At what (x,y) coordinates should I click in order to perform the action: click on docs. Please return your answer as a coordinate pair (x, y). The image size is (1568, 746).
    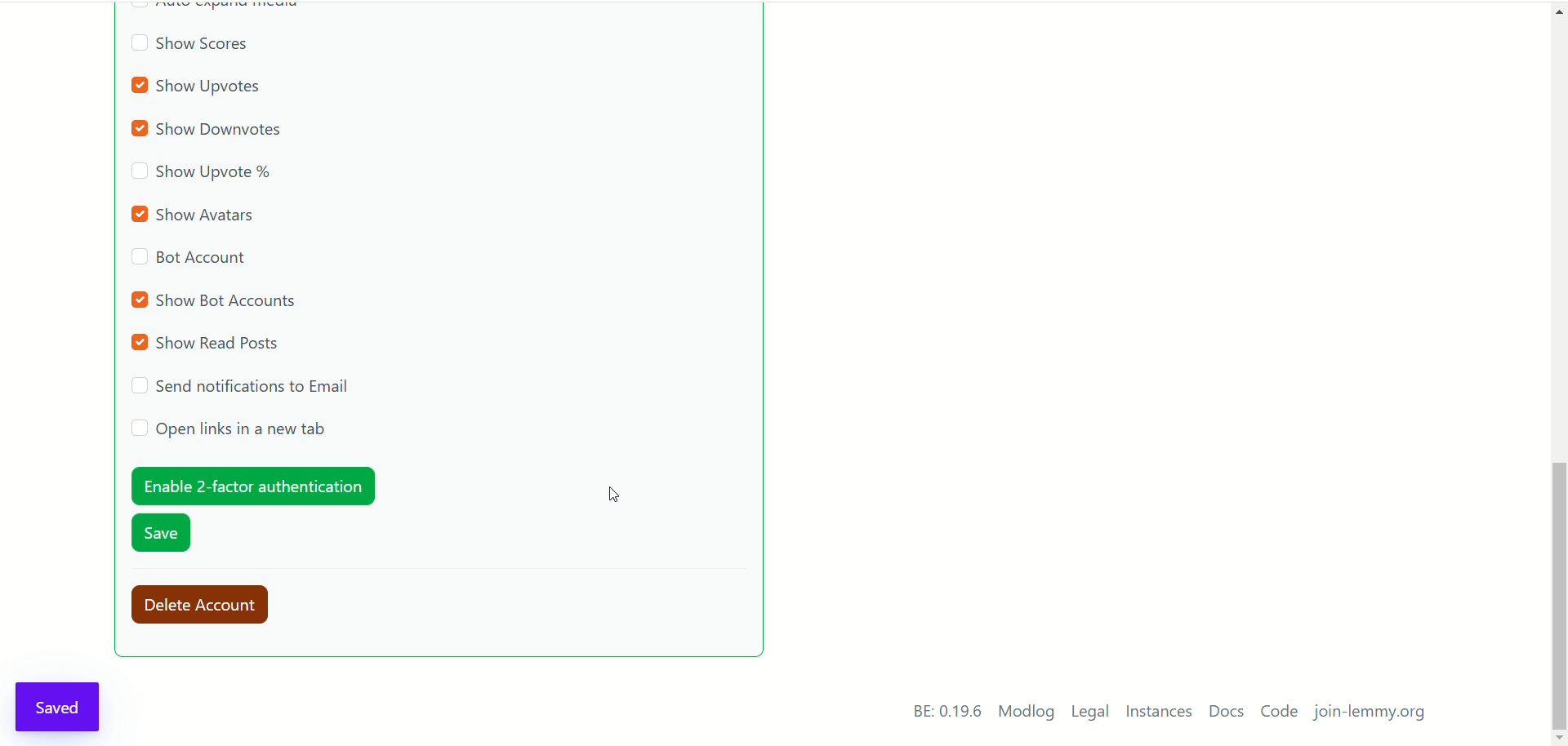
    Looking at the image, I should click on (1226, 712).